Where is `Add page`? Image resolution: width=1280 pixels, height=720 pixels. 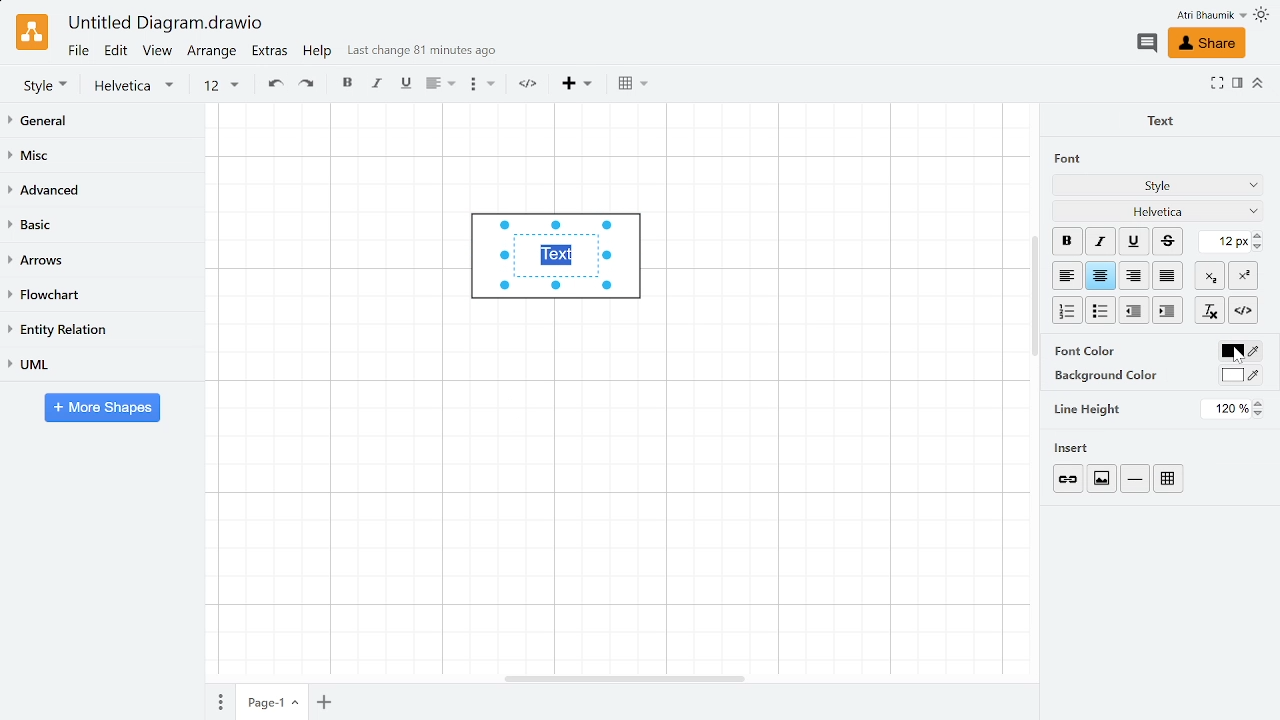
Add page is located at coordinates (327, 701).